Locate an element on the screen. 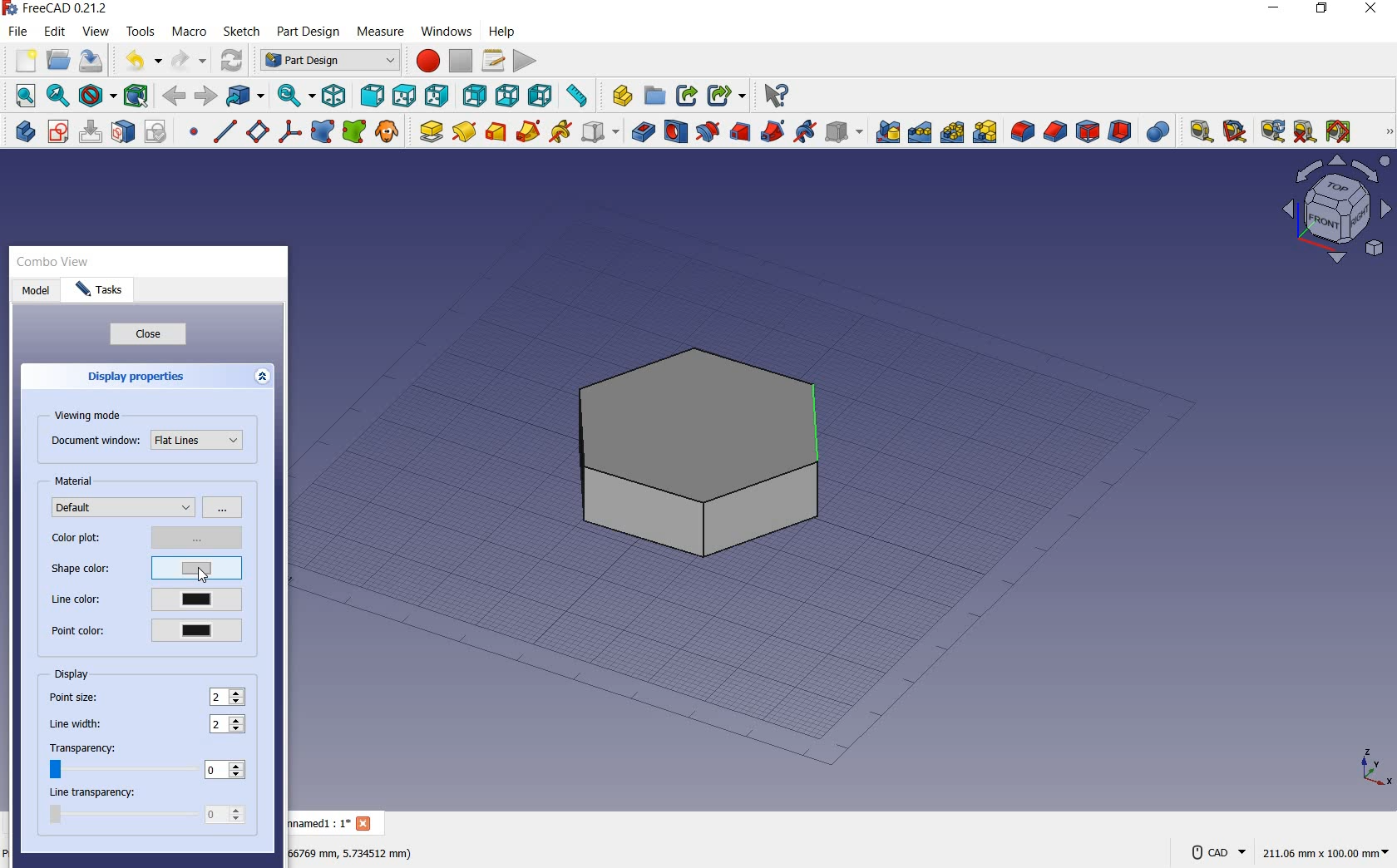  part design is located at coordinates (308, 32).